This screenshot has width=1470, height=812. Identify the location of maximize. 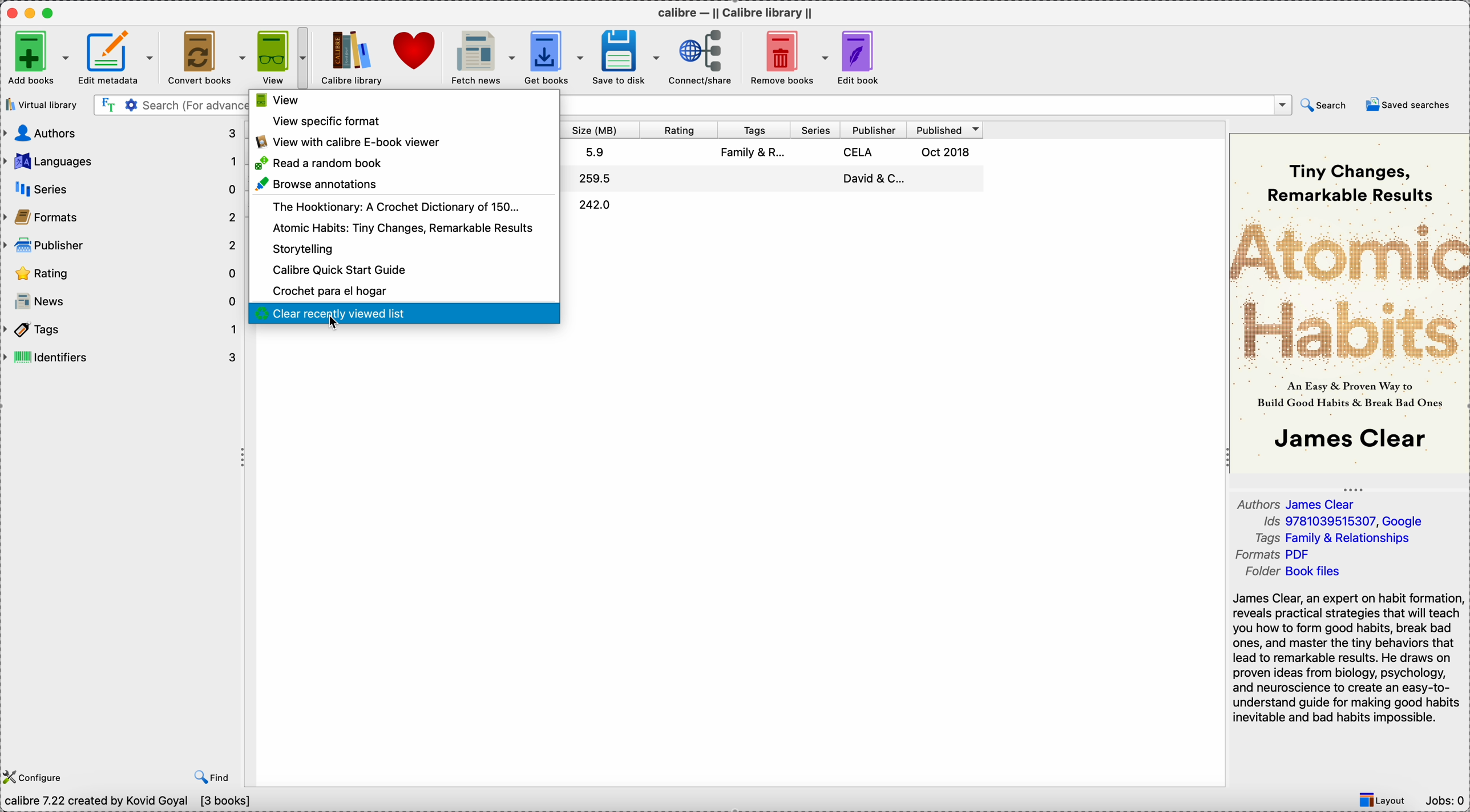
(50, 12).